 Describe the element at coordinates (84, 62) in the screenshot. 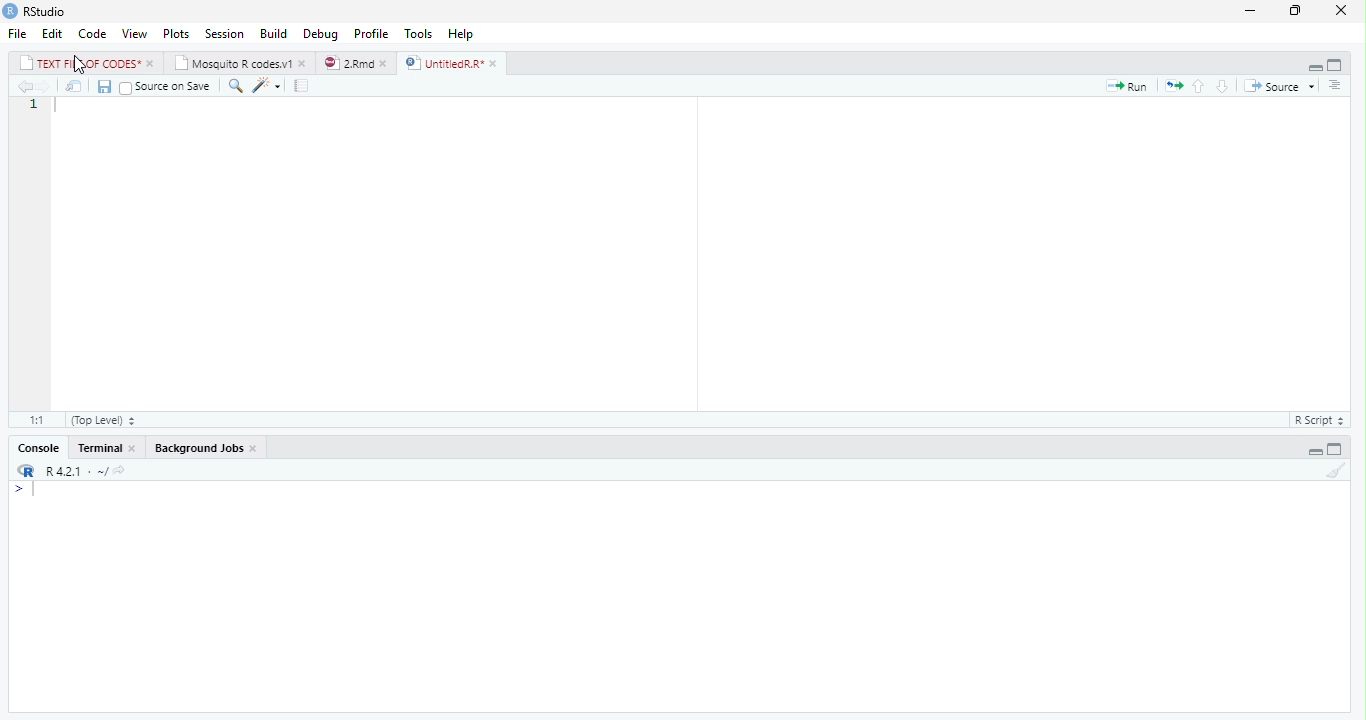

I see `TEXT FILE OF CODES*` at that location.